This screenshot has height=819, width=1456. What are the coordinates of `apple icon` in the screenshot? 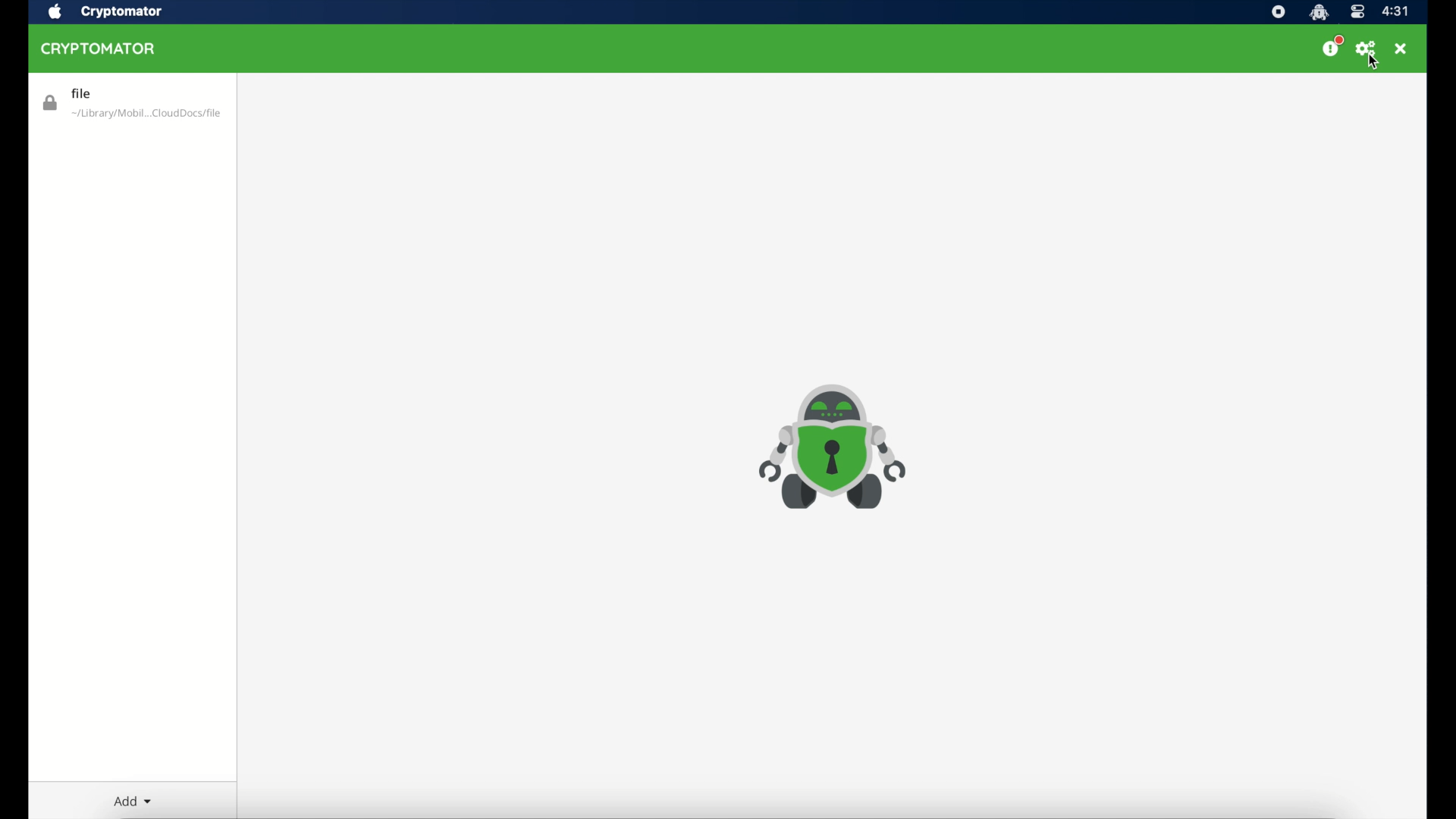 It's located at (56, 12).